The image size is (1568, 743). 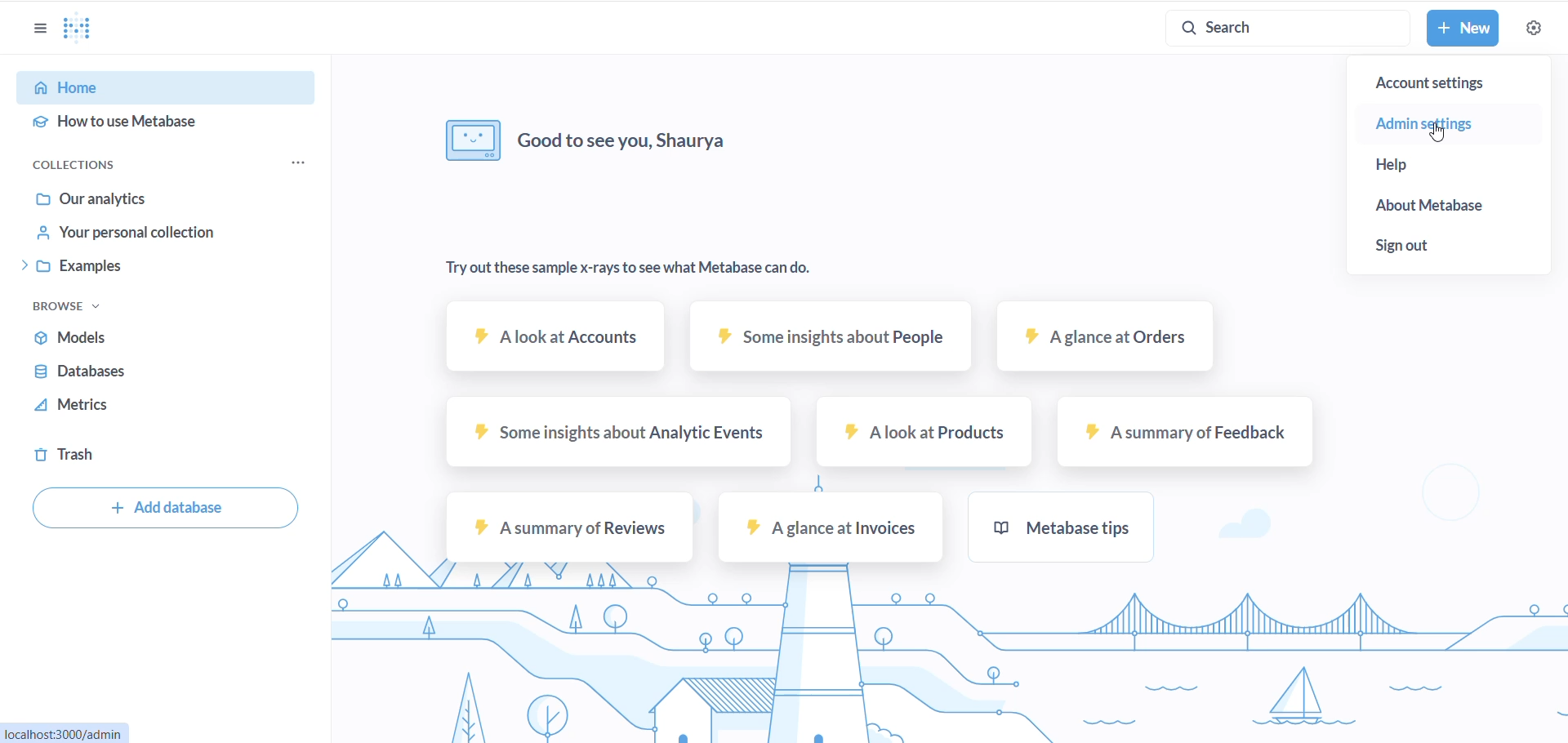 What do you see at coordinates (551, 339) in the screenshot?
I see `A look at accounts sample` at bounding box center [551, 339].